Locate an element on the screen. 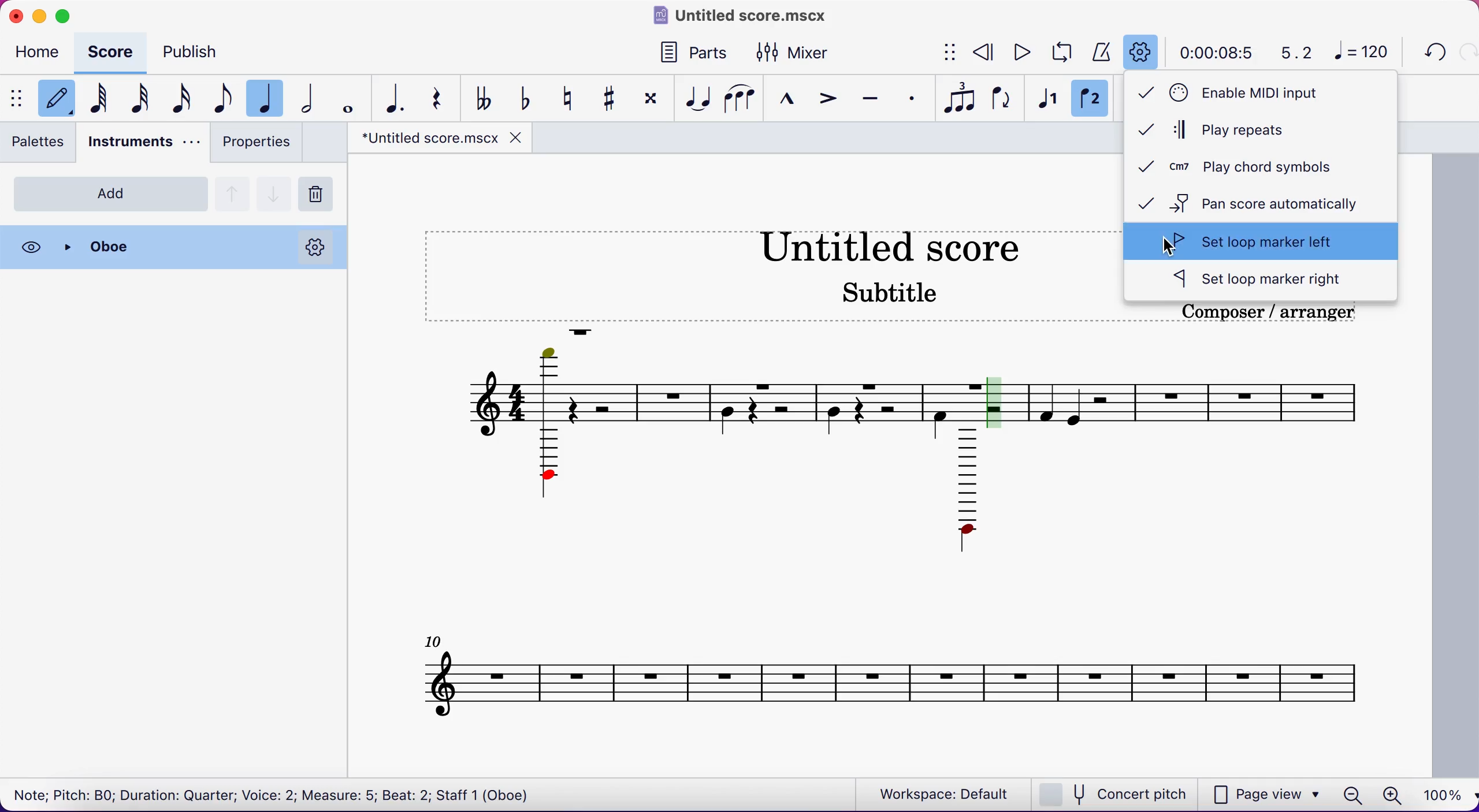 The image size is (1479, 812). toggle dobule sharp is located at coordinates (653, 102).